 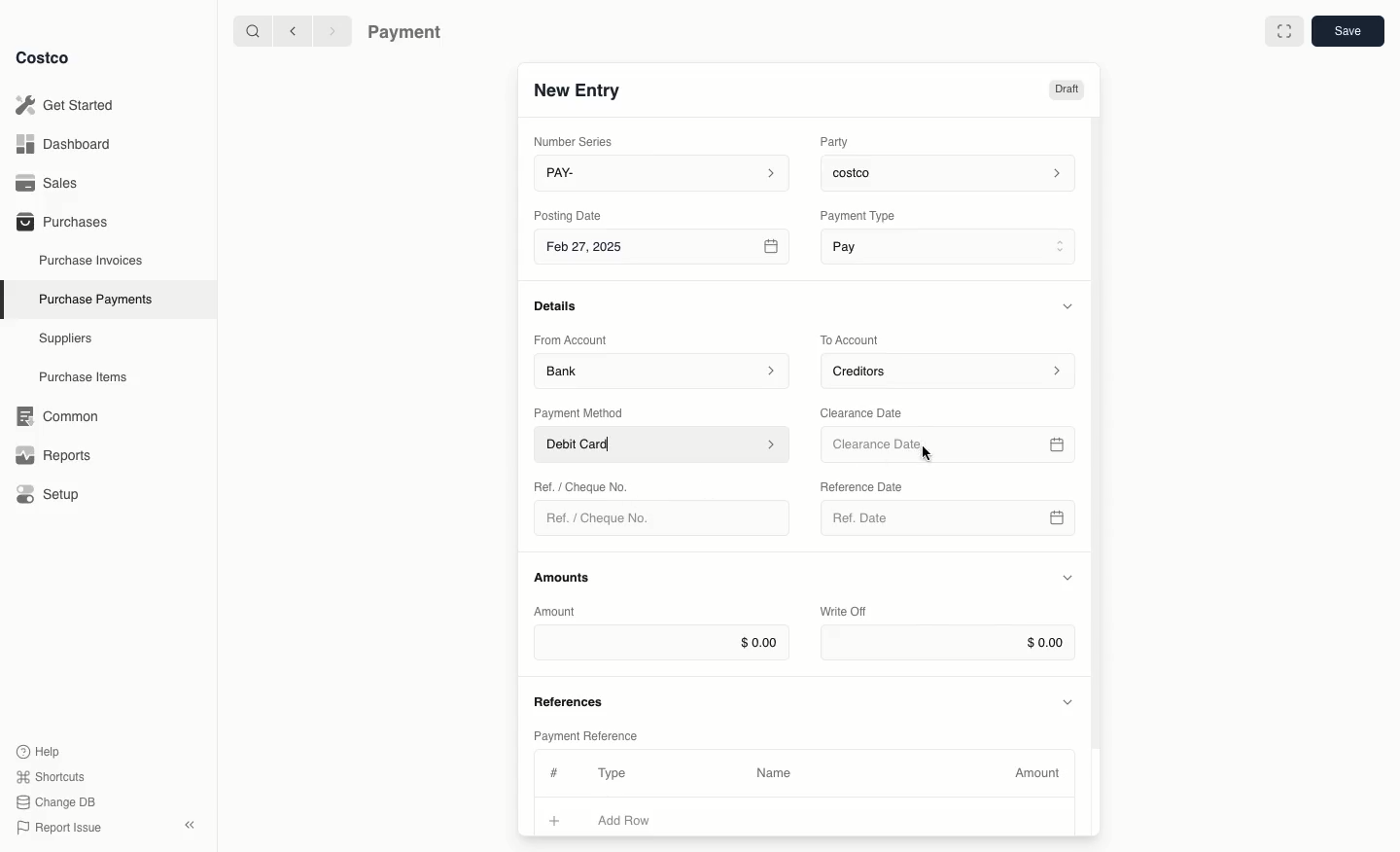 I want to click on Pay, so click(x=951, y=245).